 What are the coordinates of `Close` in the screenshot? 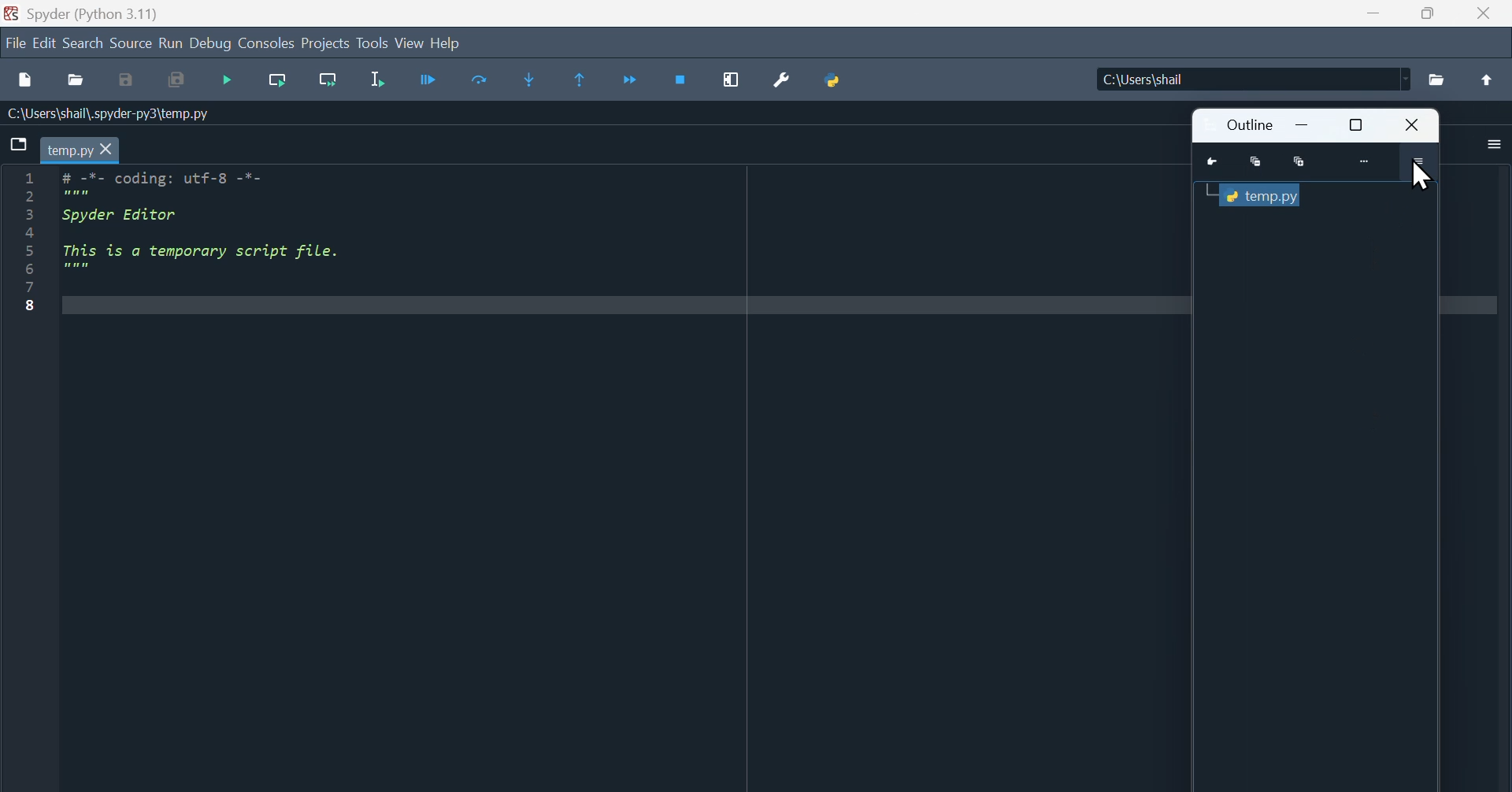 It's located at (1416, 124).